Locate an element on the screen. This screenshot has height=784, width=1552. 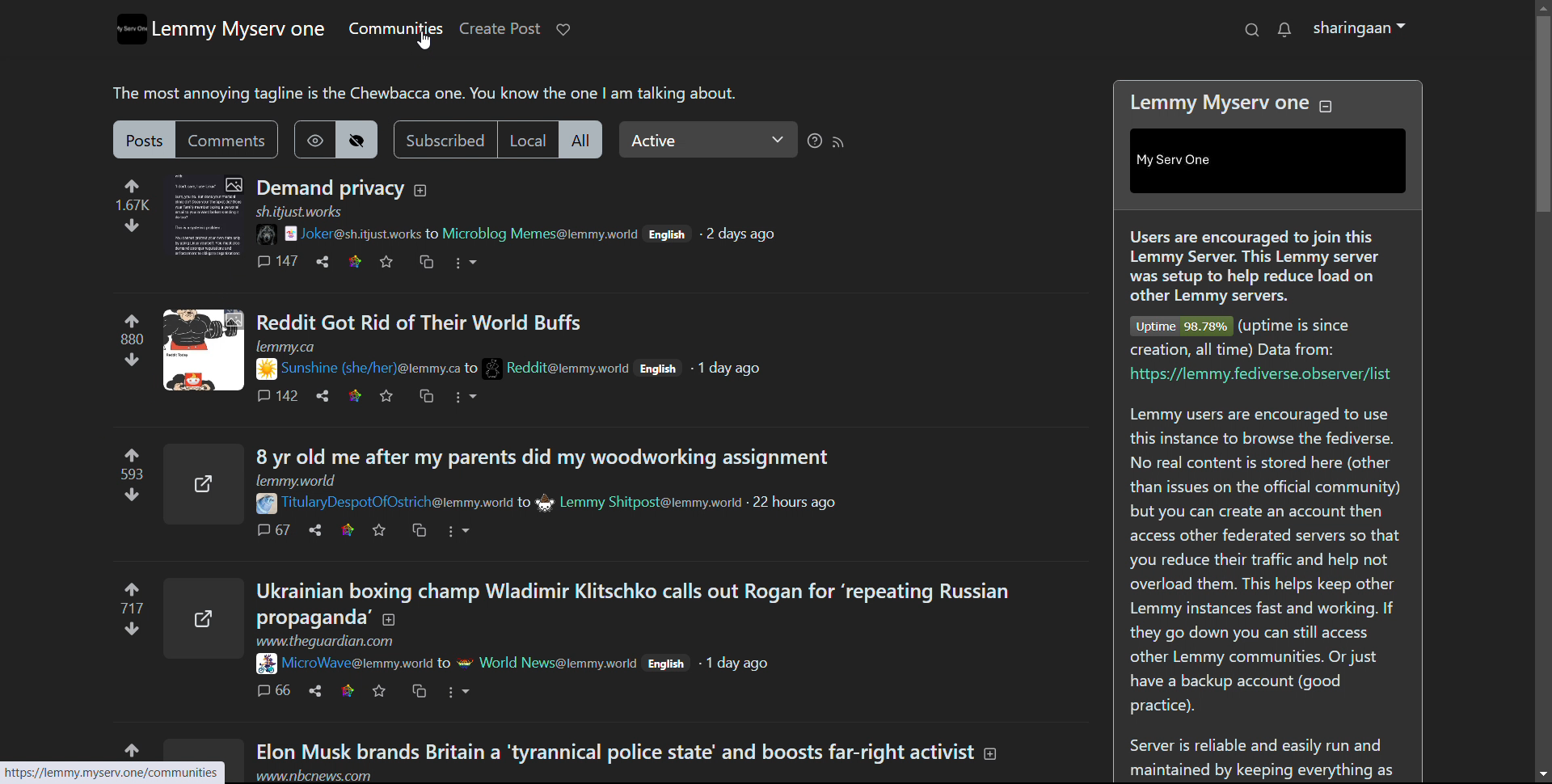
cross post is located at coordinates (426, 263).